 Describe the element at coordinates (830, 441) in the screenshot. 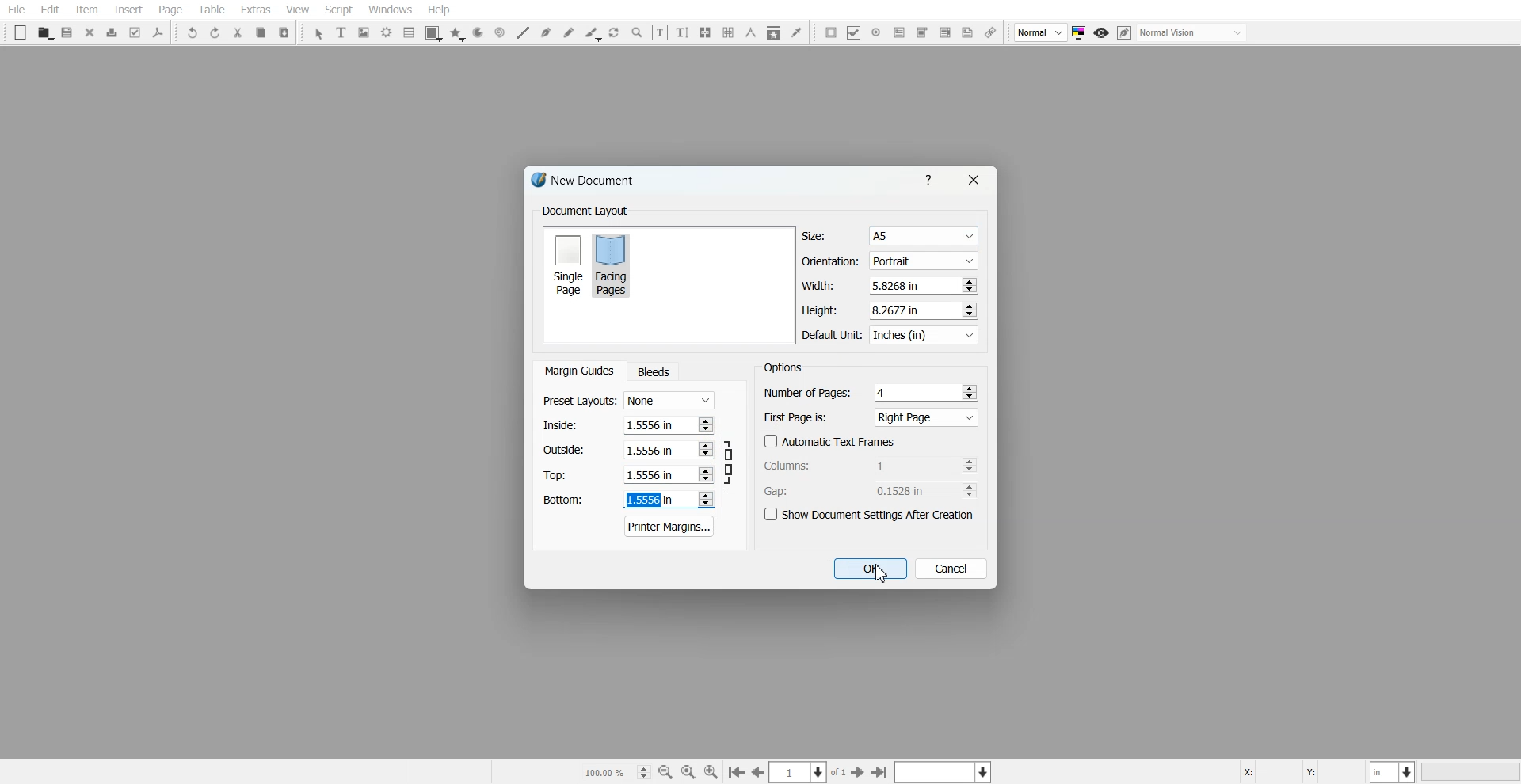

I see `Automatic Text Frames` at that location.